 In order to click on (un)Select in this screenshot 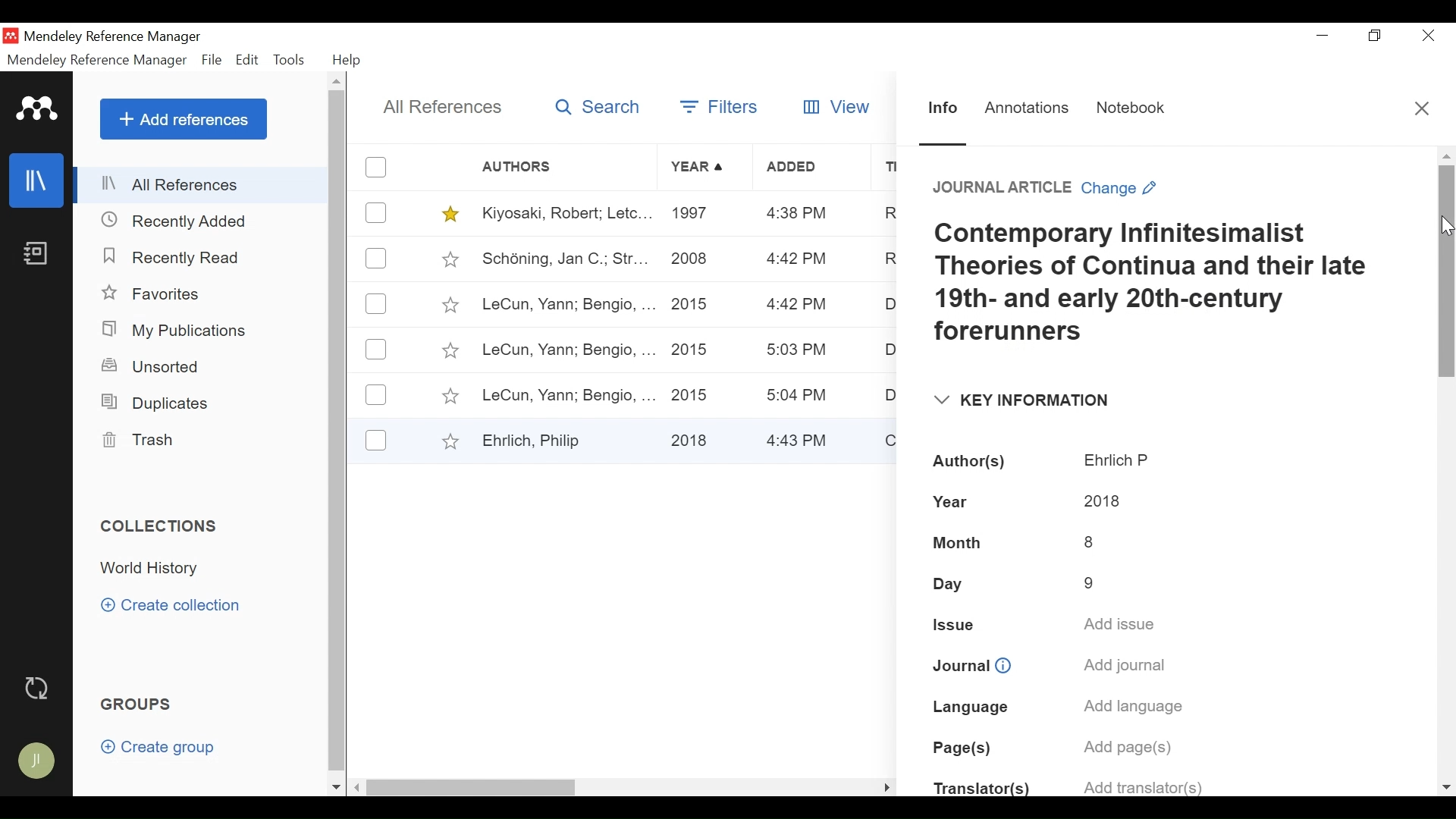, I will do `click(376, 259)`.